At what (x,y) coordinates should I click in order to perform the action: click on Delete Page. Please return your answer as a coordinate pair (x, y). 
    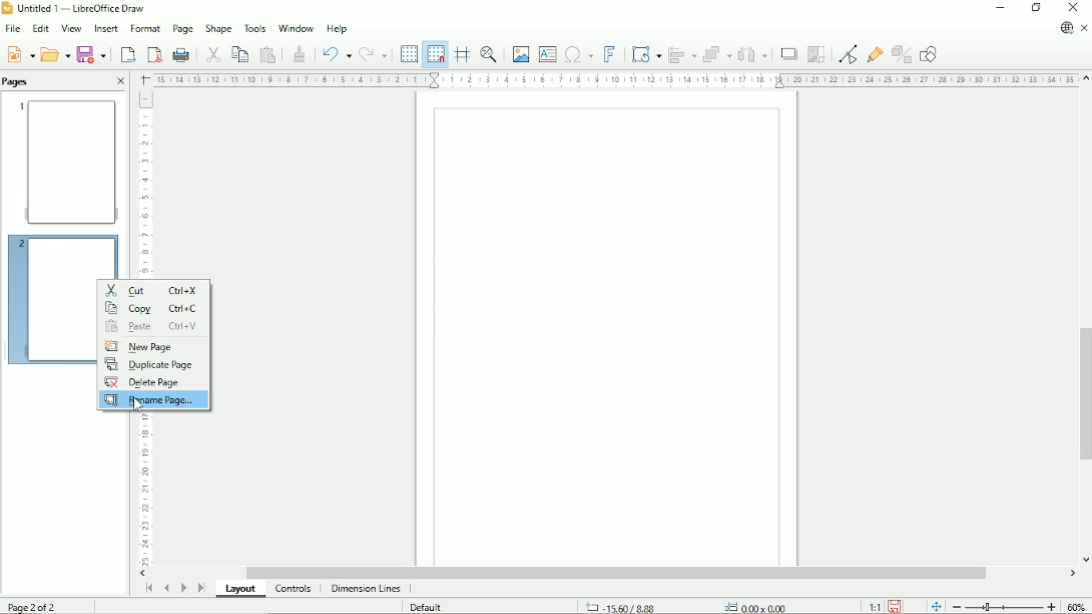
    Looking at the image, I should click on (141, 382).